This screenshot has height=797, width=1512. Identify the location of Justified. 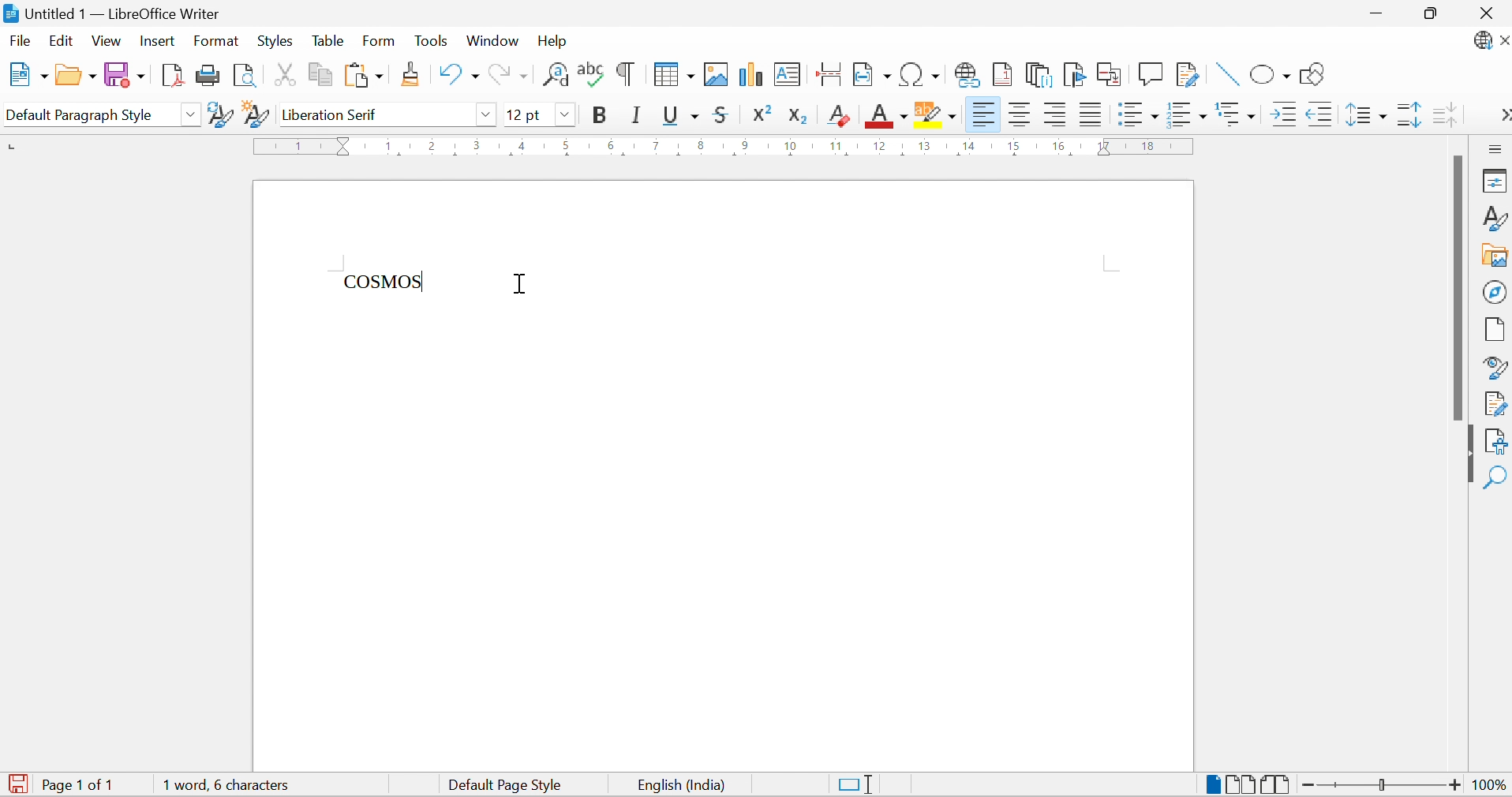
(1090, 114).